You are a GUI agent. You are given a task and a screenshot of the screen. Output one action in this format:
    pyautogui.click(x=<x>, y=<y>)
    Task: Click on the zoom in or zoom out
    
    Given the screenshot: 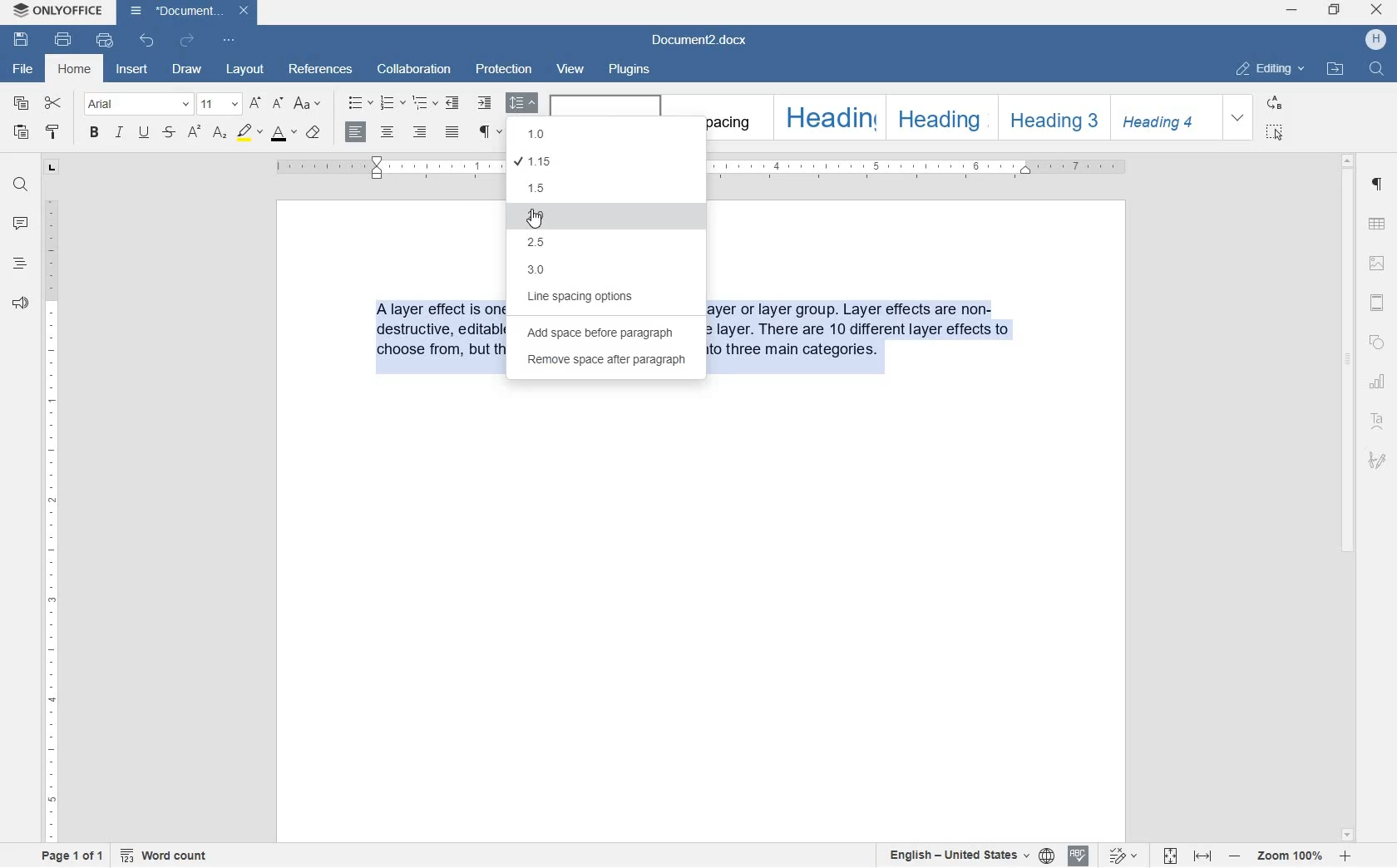 What is the action you would take?
    pyautogui.click(x=1289, y=856)
    